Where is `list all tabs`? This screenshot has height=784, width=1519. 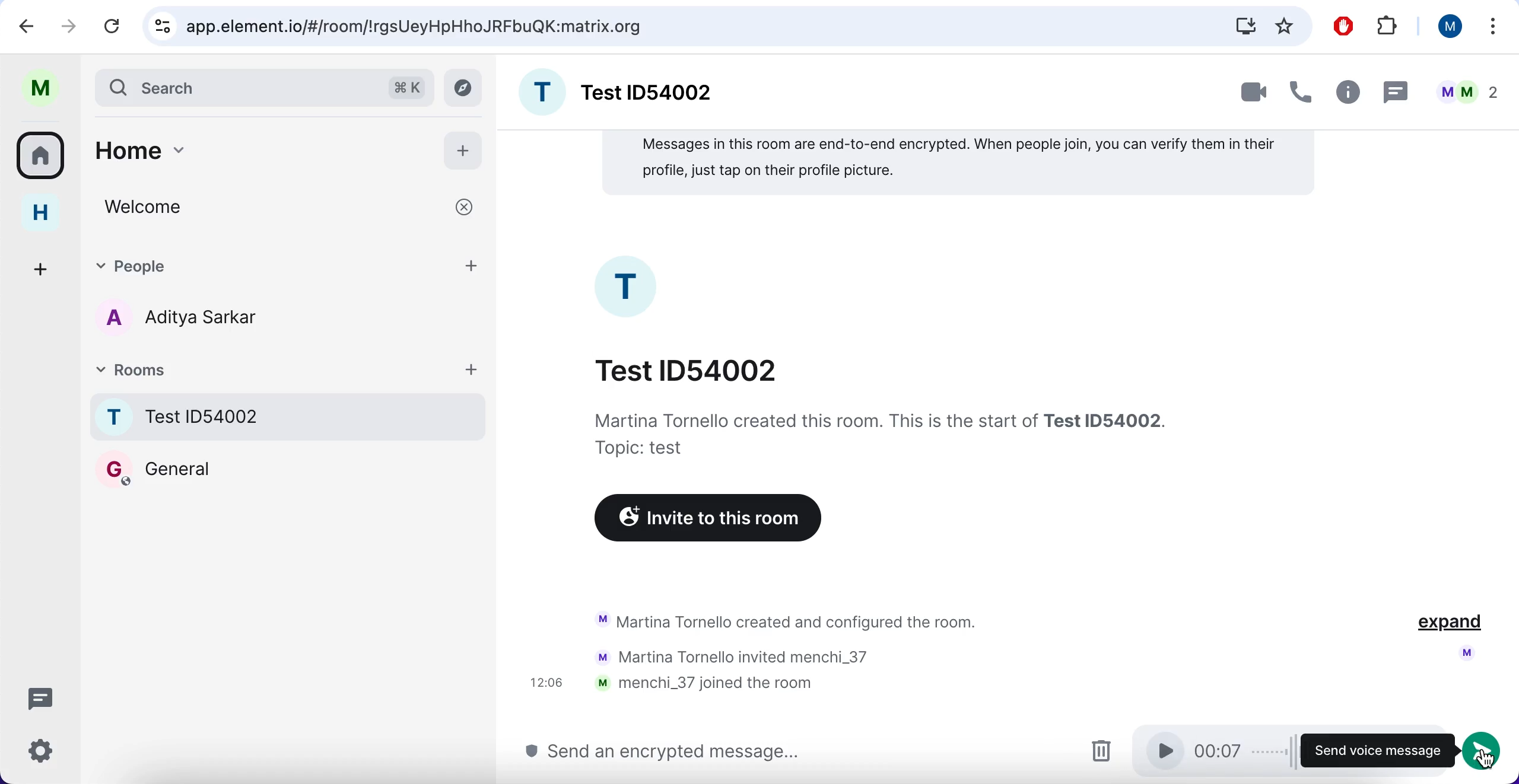
list all tabs is located at coordinates (1494, 26).